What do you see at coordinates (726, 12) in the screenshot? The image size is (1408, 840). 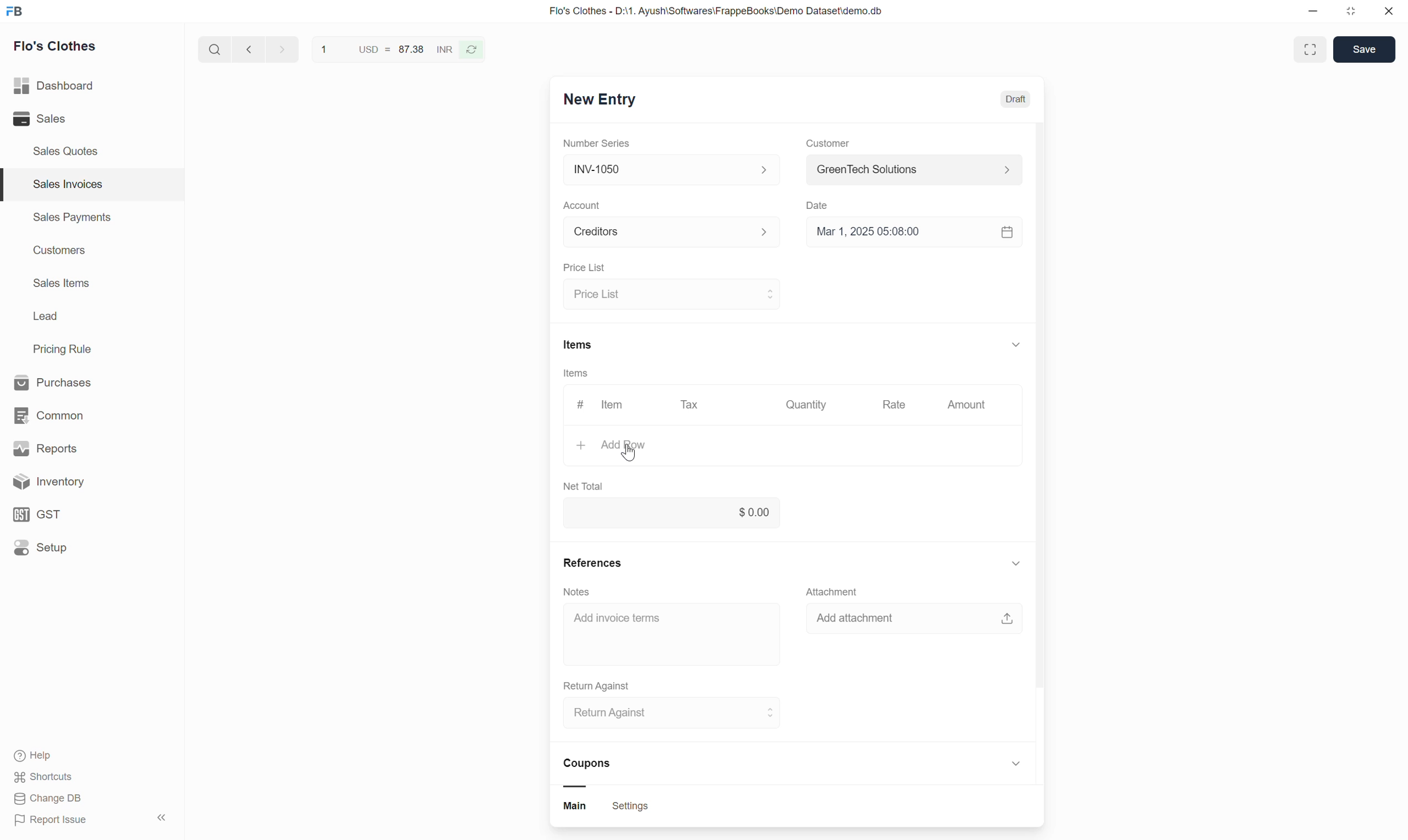 I see `Flo's Clothes - D:\1. Ayush\Softwares\FrappeBooks\Demo Dataset\demo.db` at bounding box center [726, 12].